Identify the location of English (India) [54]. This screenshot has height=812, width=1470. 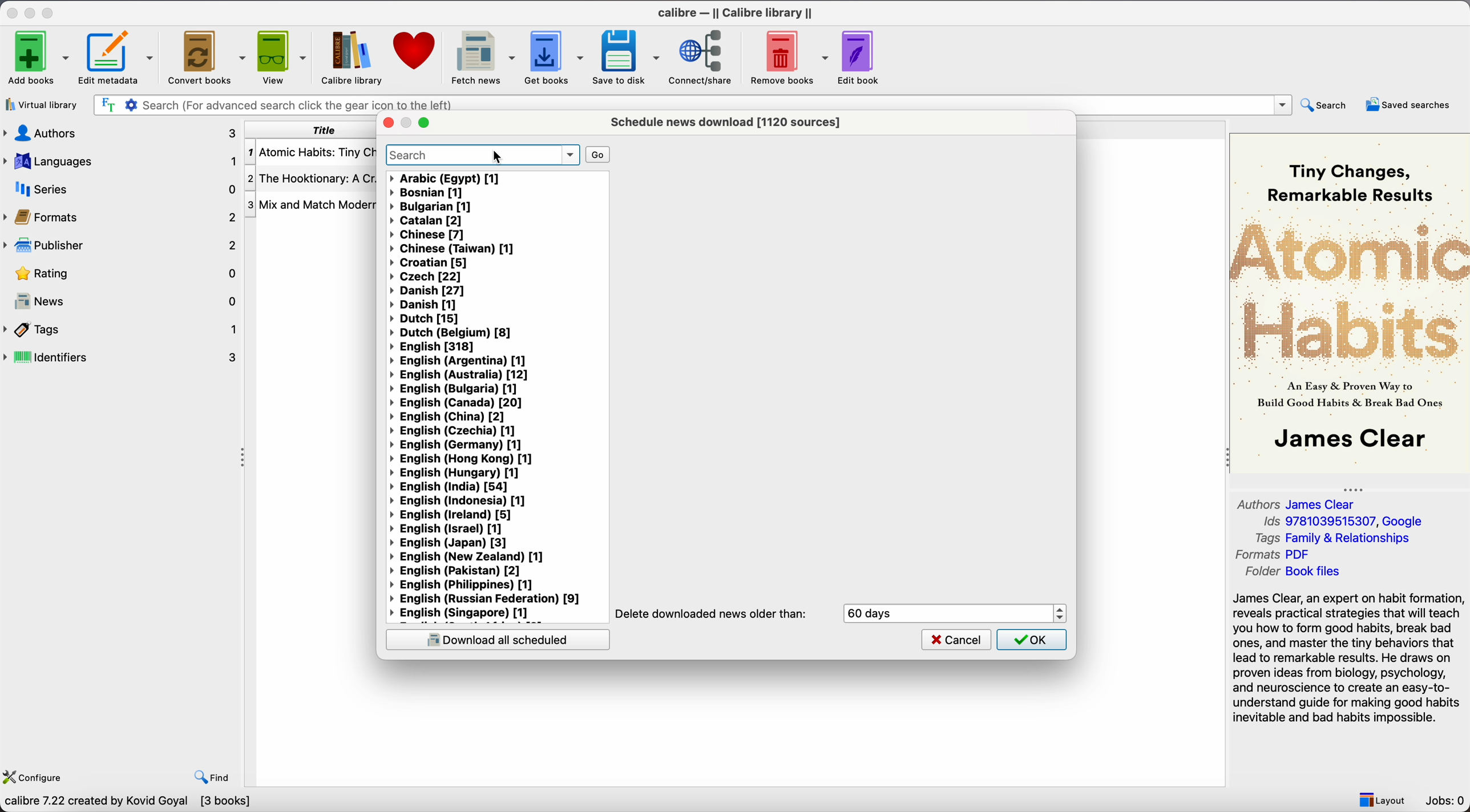
(449, 487).